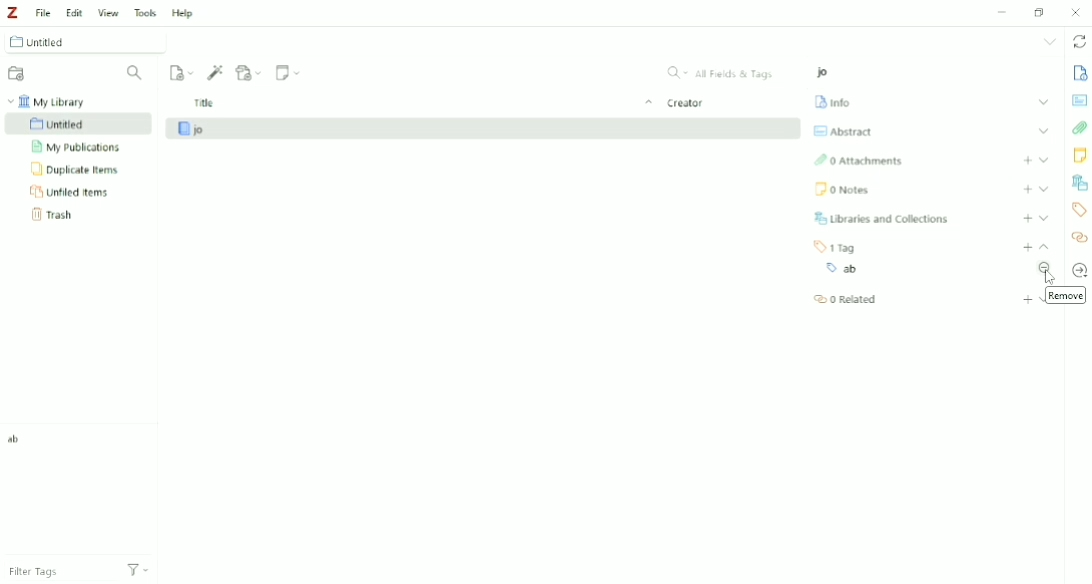  Describe the element at coordinates (485, 128) in the screenshot. I see `jo` at that location.